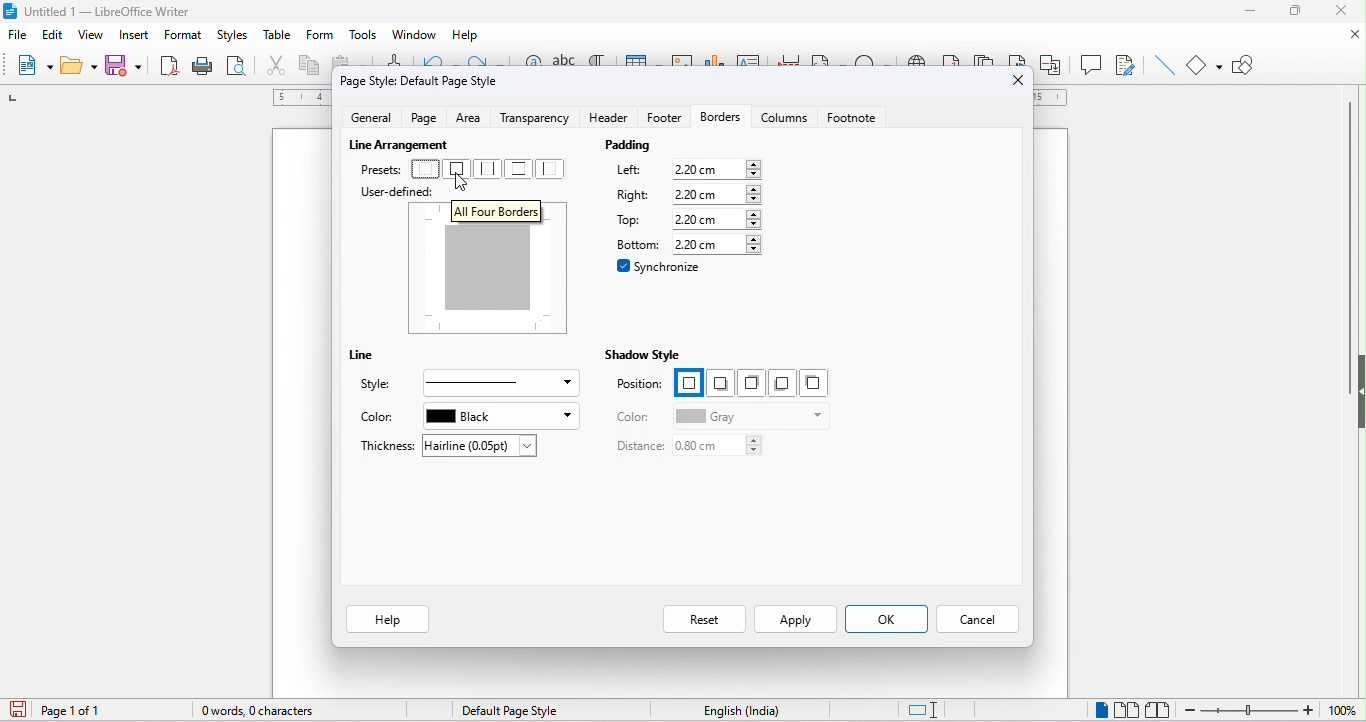 The height and width of the screenshot is (722, 1366). I want to click on close document, so click(1344, 34).